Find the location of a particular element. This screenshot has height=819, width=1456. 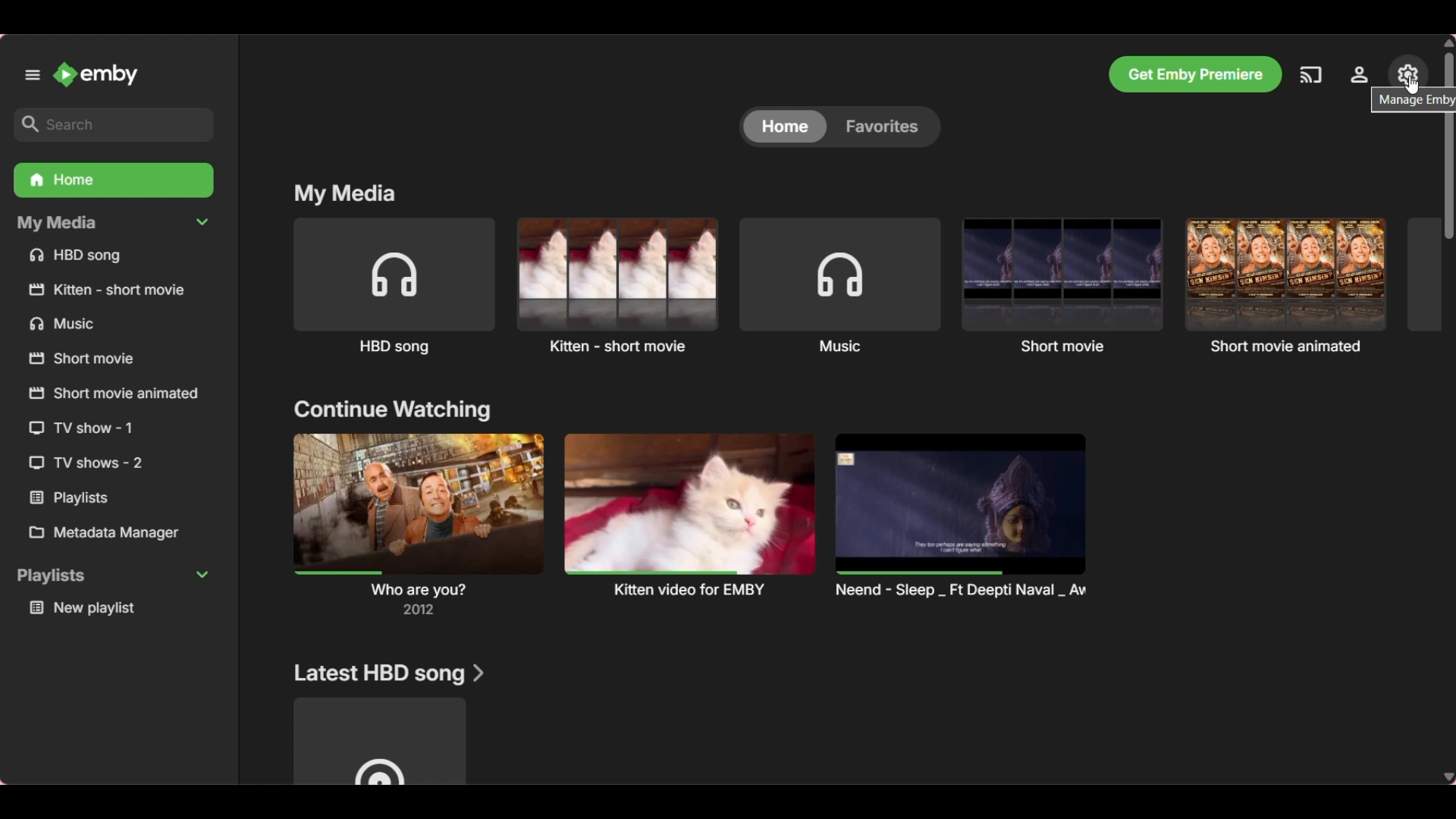

Go to home button/Name and image of Emby is located at coordinates (97, 74).